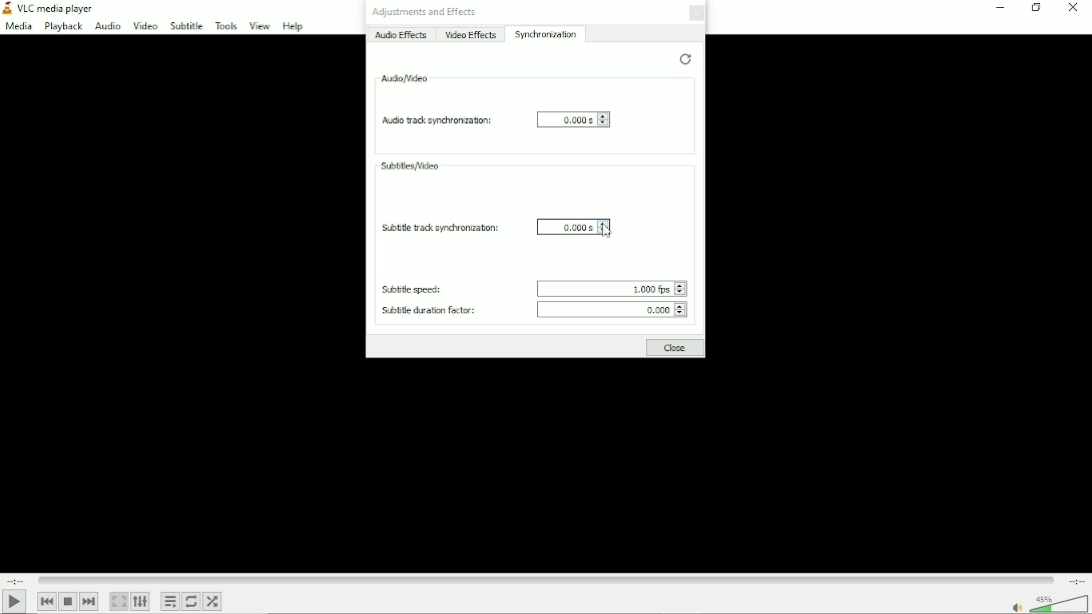  Describe the element at coordinates (291, 27) in the screenshot. I see `help` at that location.